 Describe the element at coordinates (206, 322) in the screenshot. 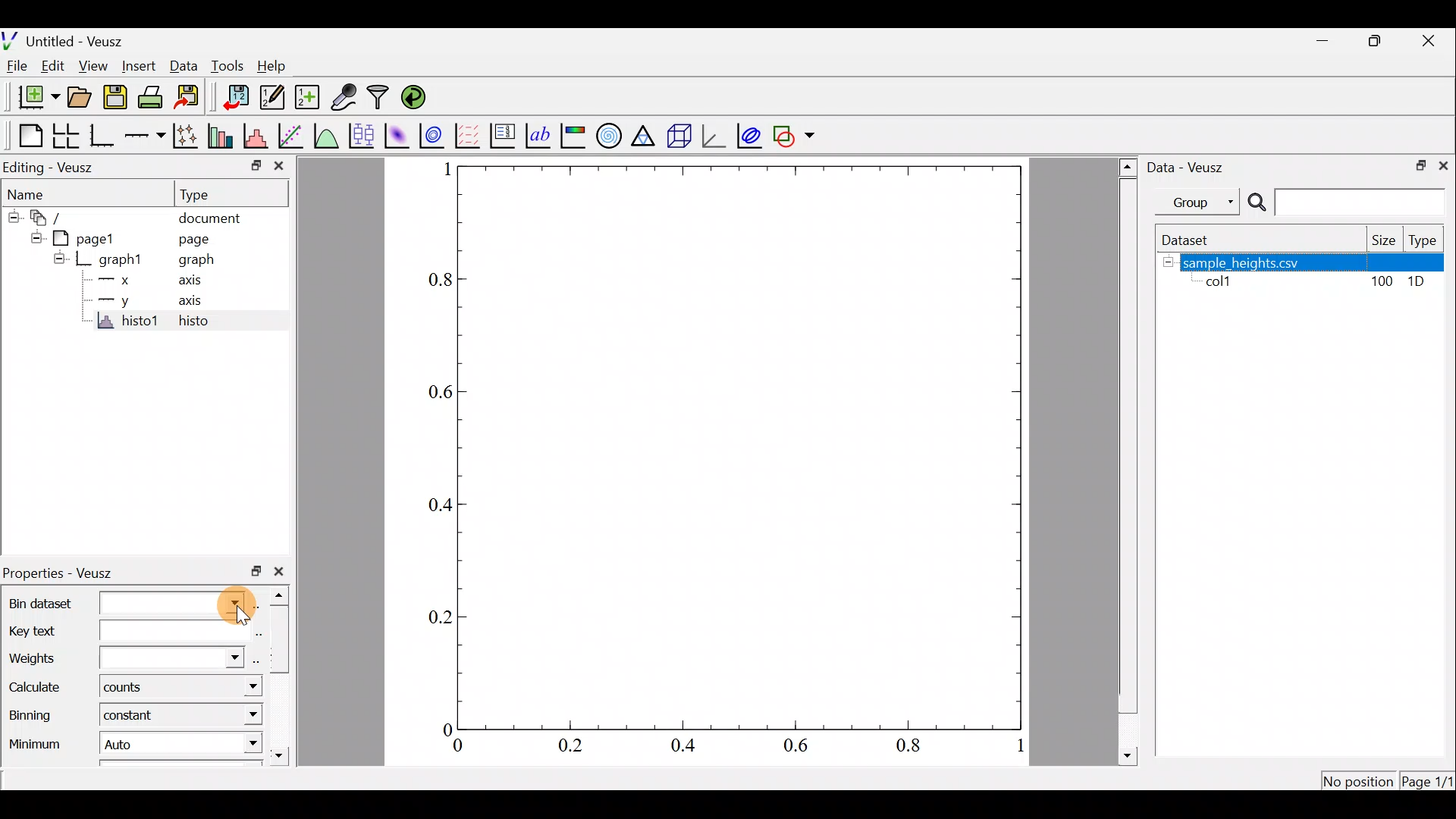

I see `histo` at that location.